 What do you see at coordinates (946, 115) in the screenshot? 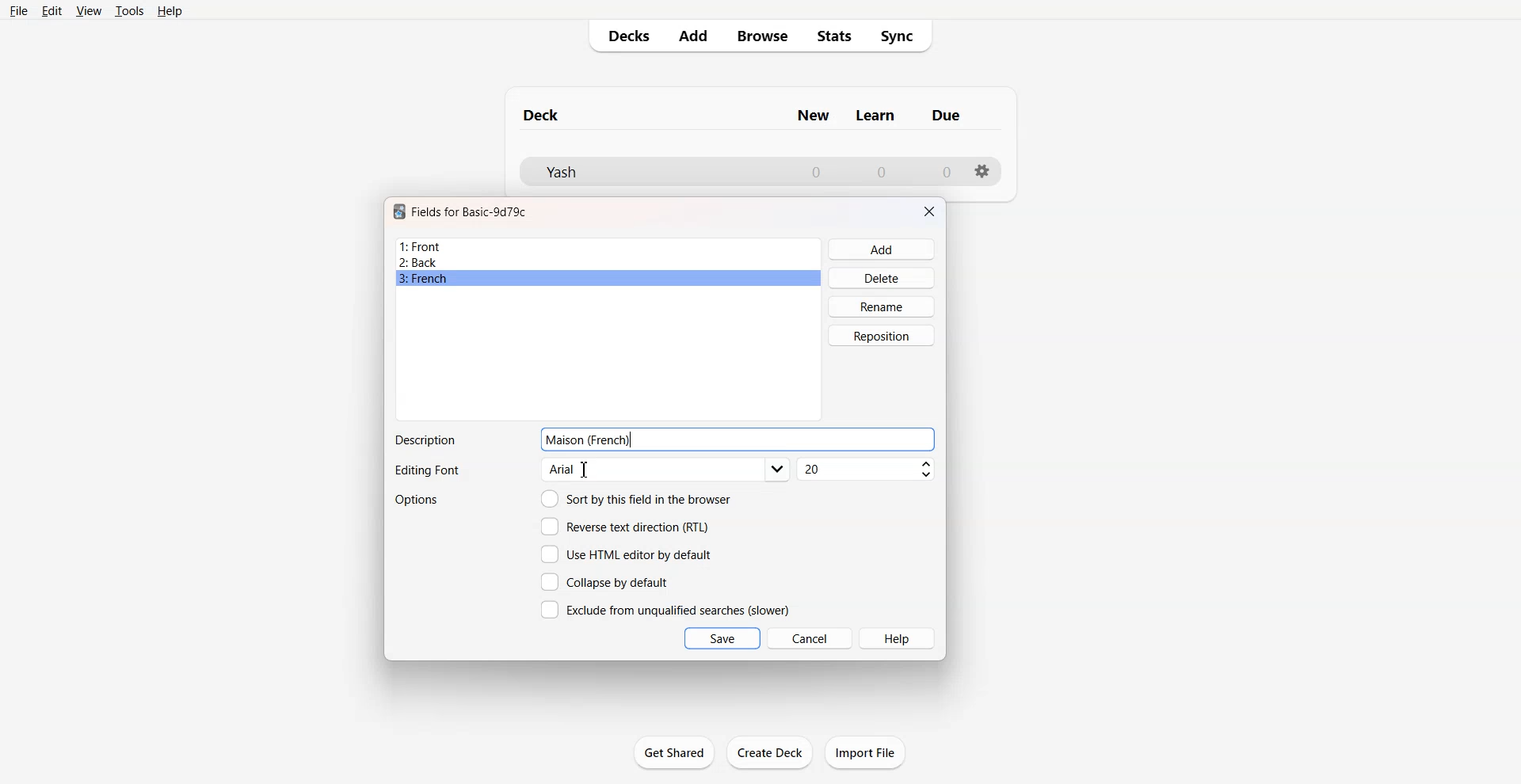
I see `Column name` at bounding box center [946, 115].